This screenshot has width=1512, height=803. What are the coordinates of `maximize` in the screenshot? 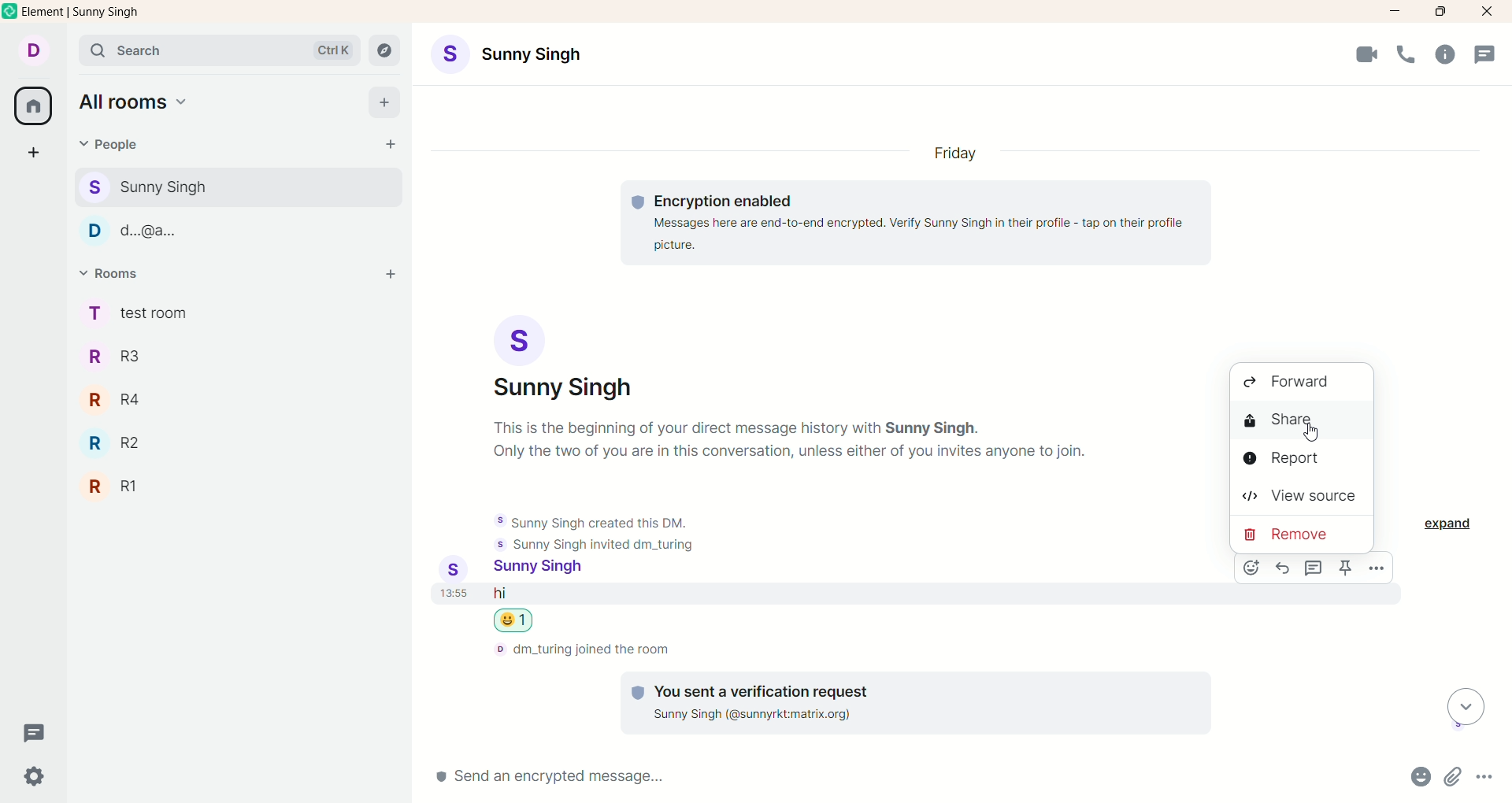 It's located at (1438, 12).